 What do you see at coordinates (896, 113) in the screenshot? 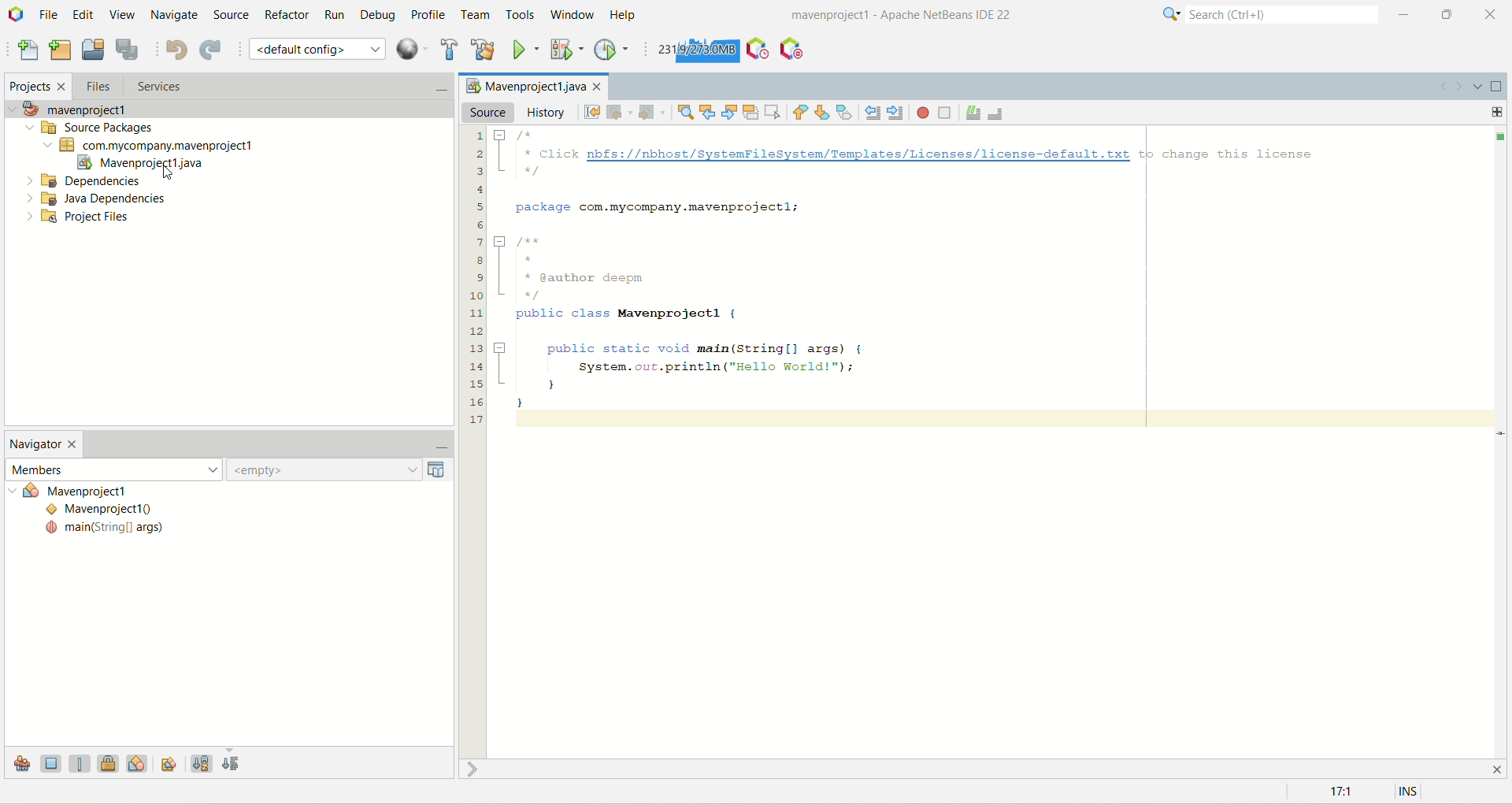
I see `shift line right` at bounding box center [896, 113].